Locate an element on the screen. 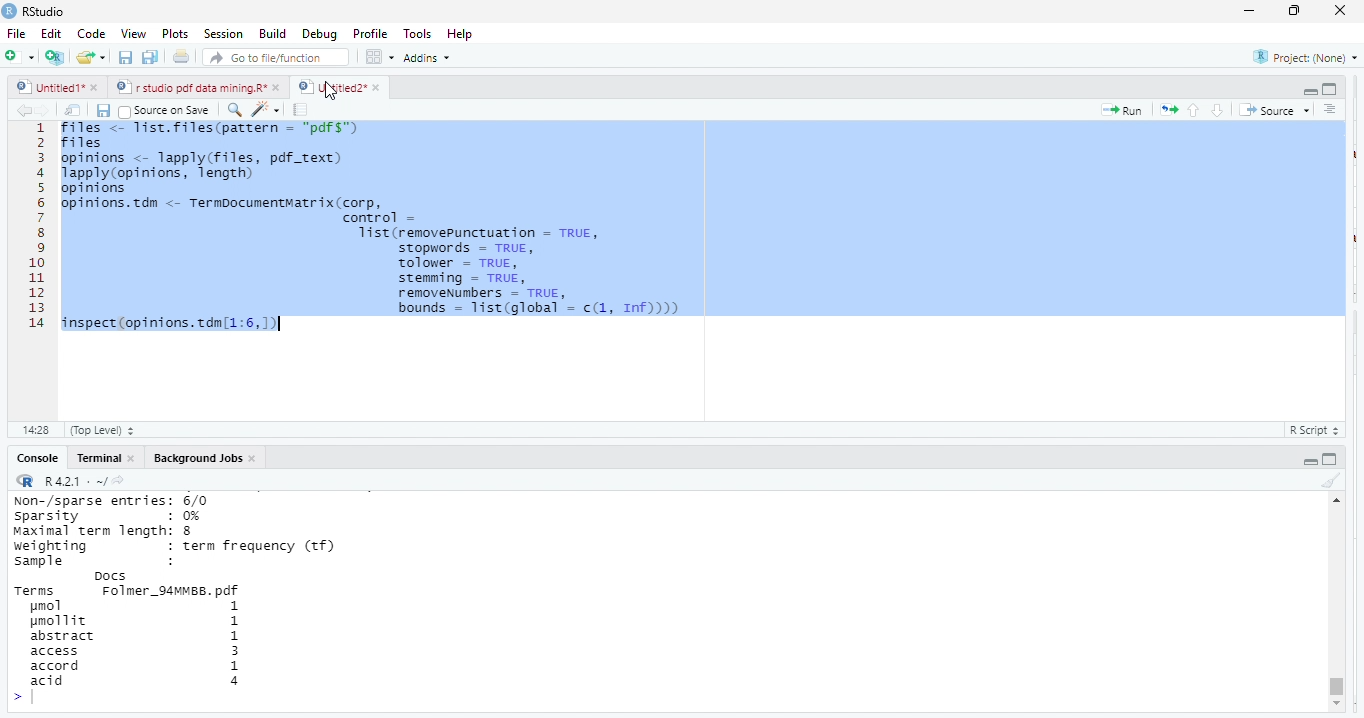  rs studio logo is located at coordinates (9, 10).